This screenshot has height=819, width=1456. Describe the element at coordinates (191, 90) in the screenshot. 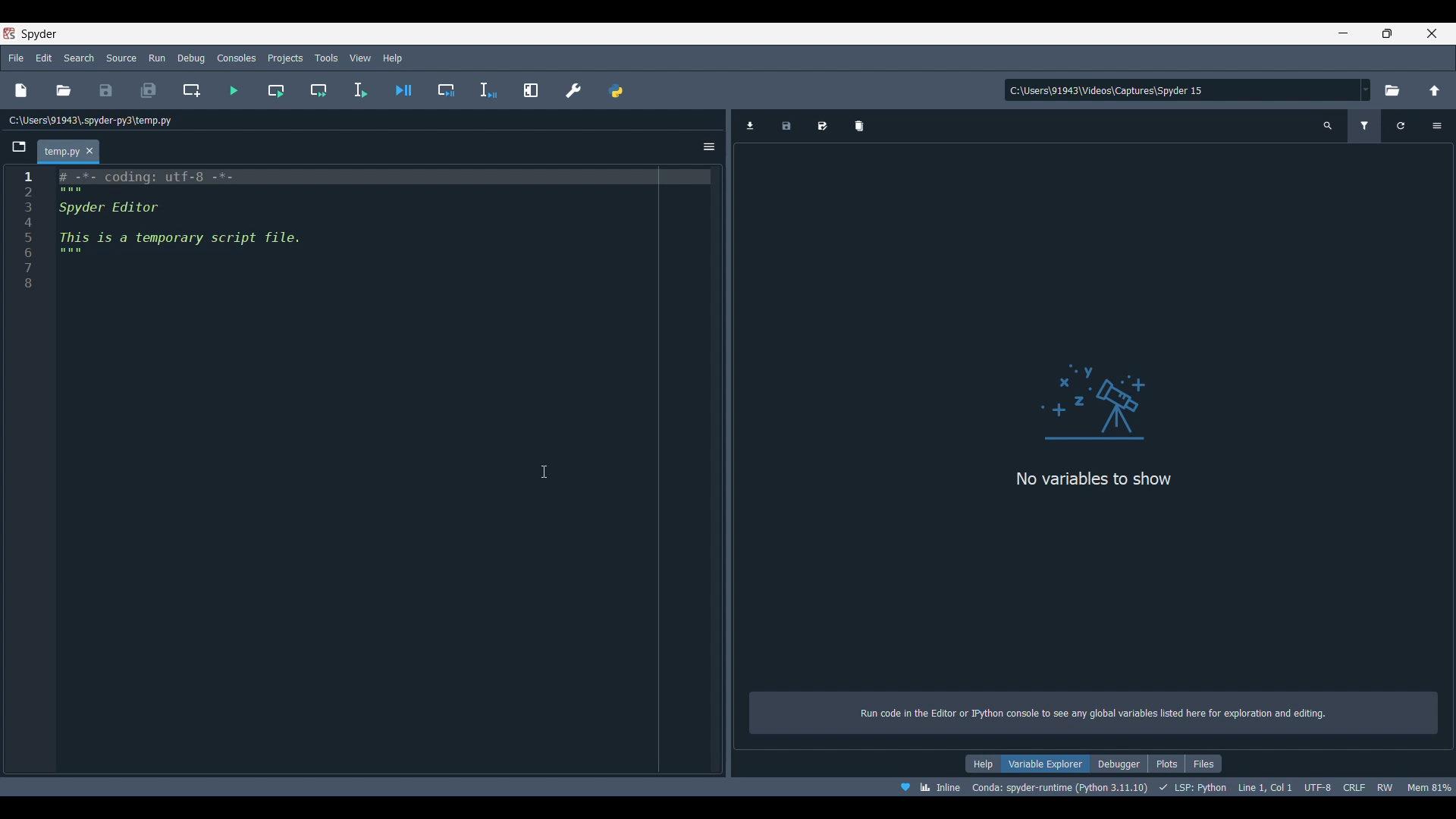

I see `Create new cell at current line` at that location.